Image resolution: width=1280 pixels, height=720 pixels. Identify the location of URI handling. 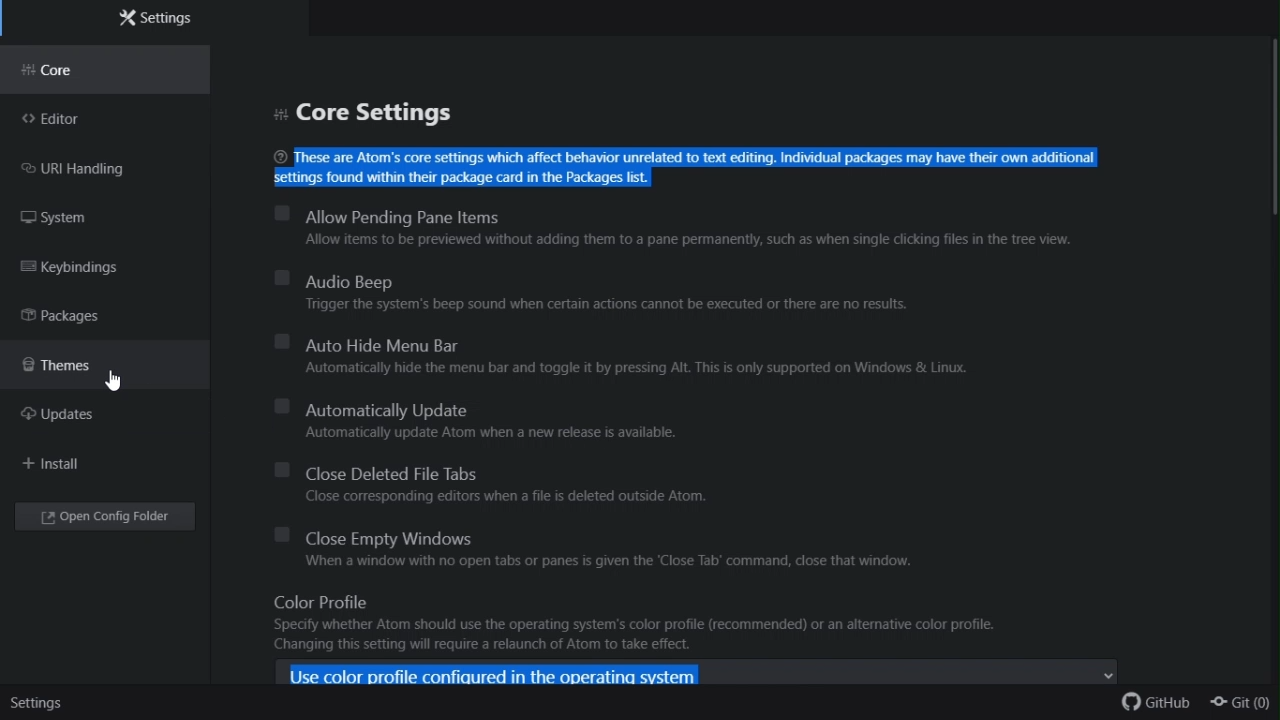
(87, 169).